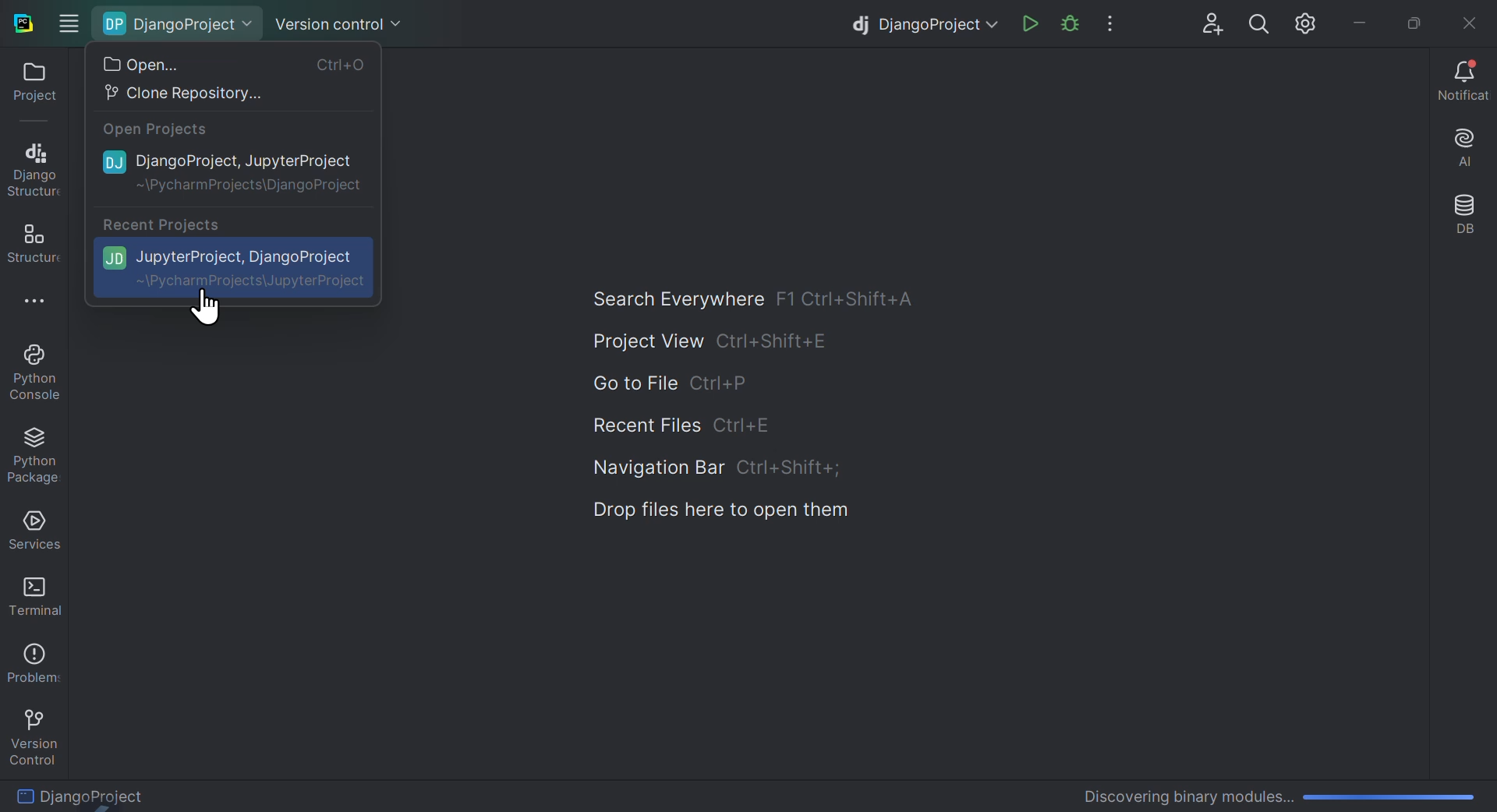 Image resolution: width=1497 pixels, height=812 pixels. What do you see at coordinates (745, 428) in the screenshot?
I see `shortcut` at bounding box center [745, 428].